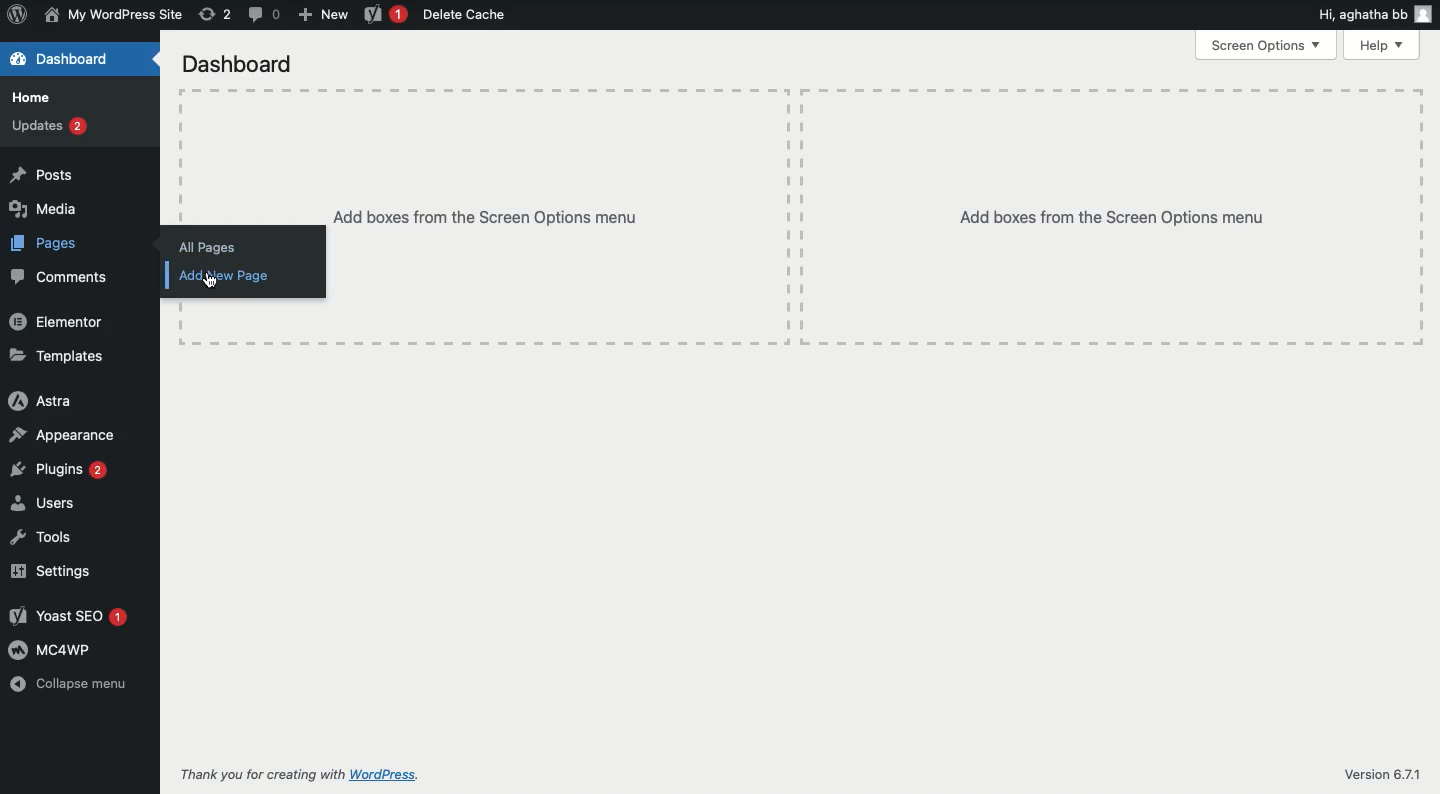  I want to click on Templates, so click(57, 354).